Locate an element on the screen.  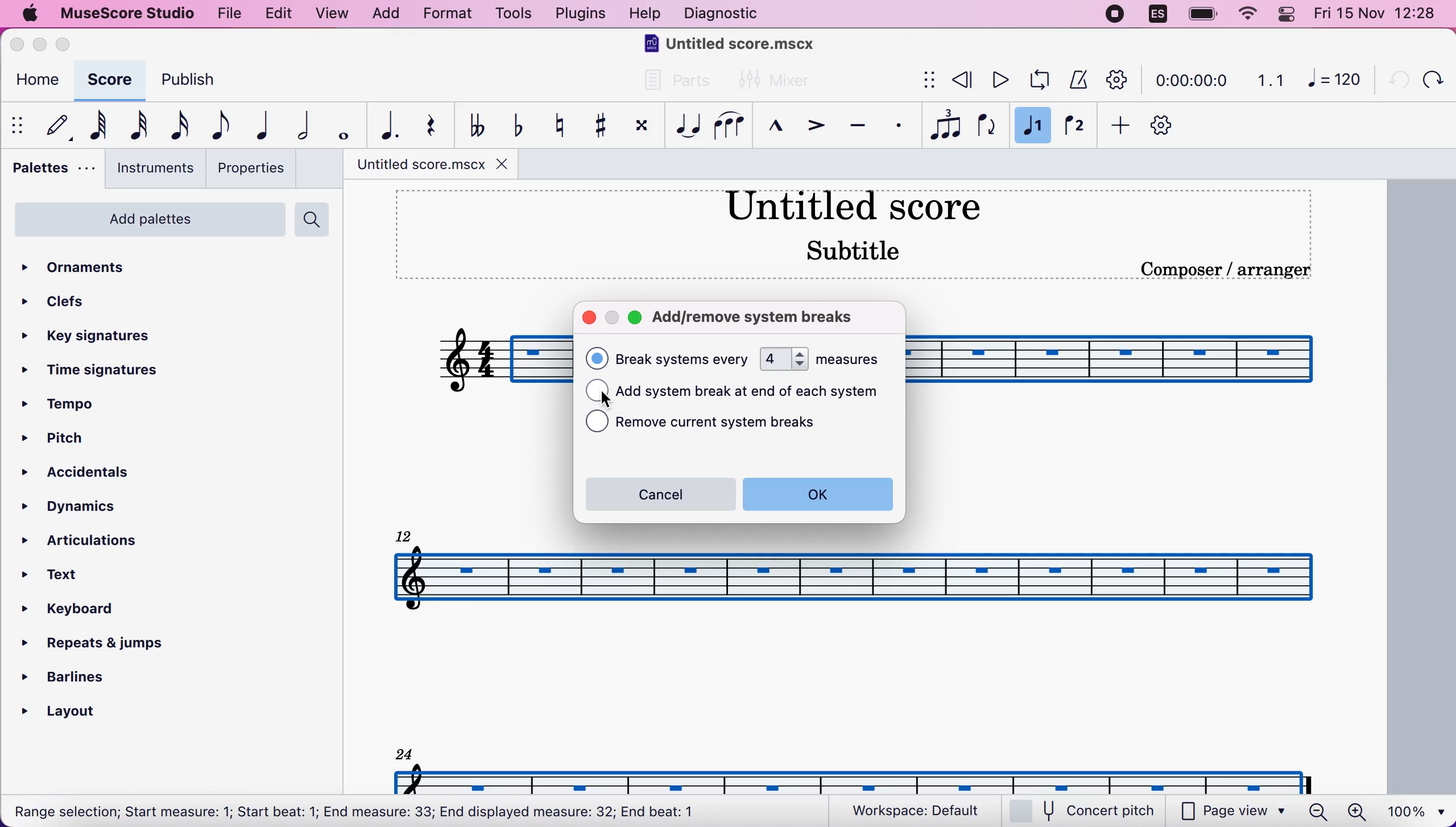
quarter note is located at coordinates (258, 125).